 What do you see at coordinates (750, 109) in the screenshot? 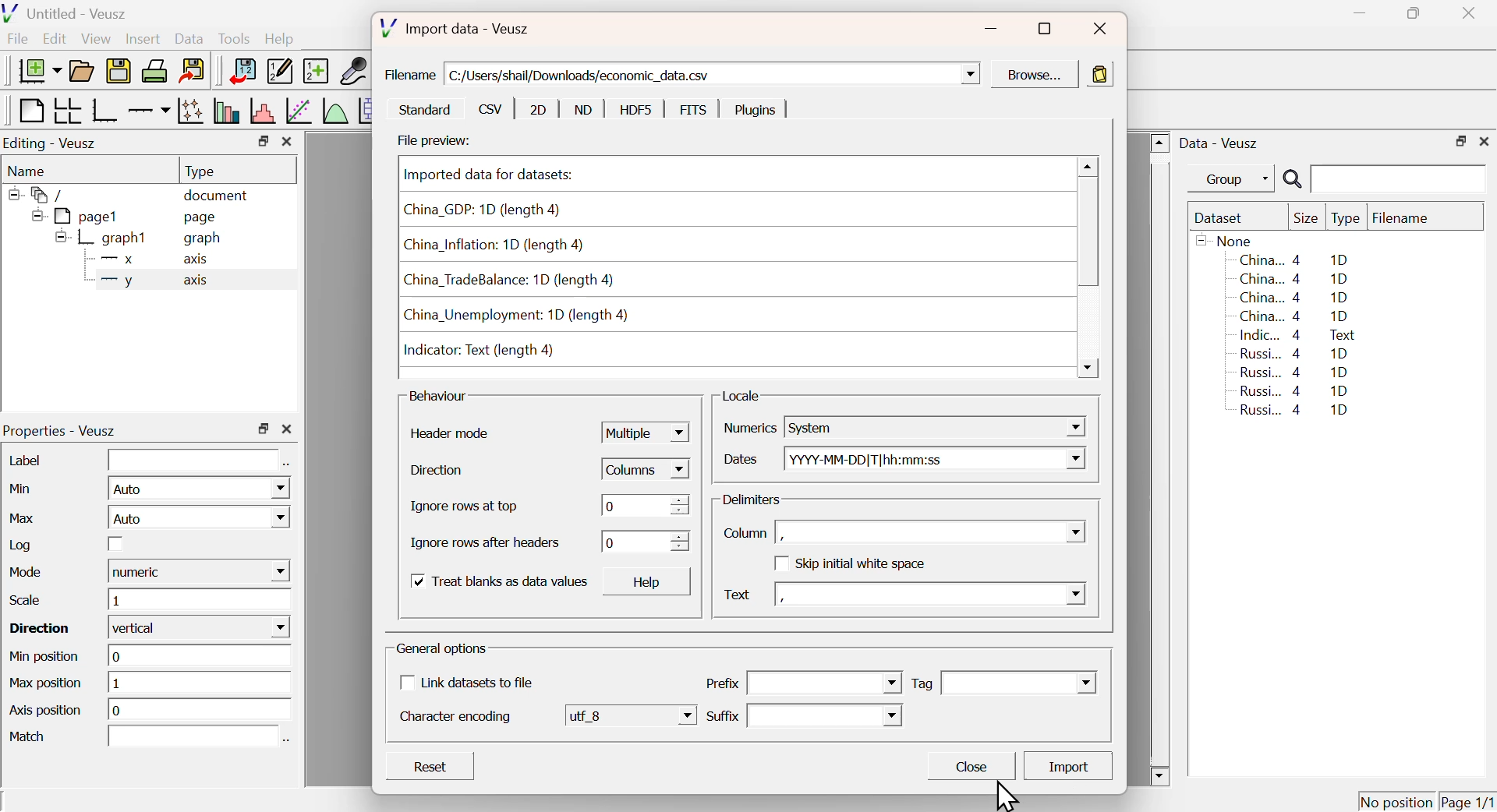
I see `Plugins` at bounding box center [750, 109].